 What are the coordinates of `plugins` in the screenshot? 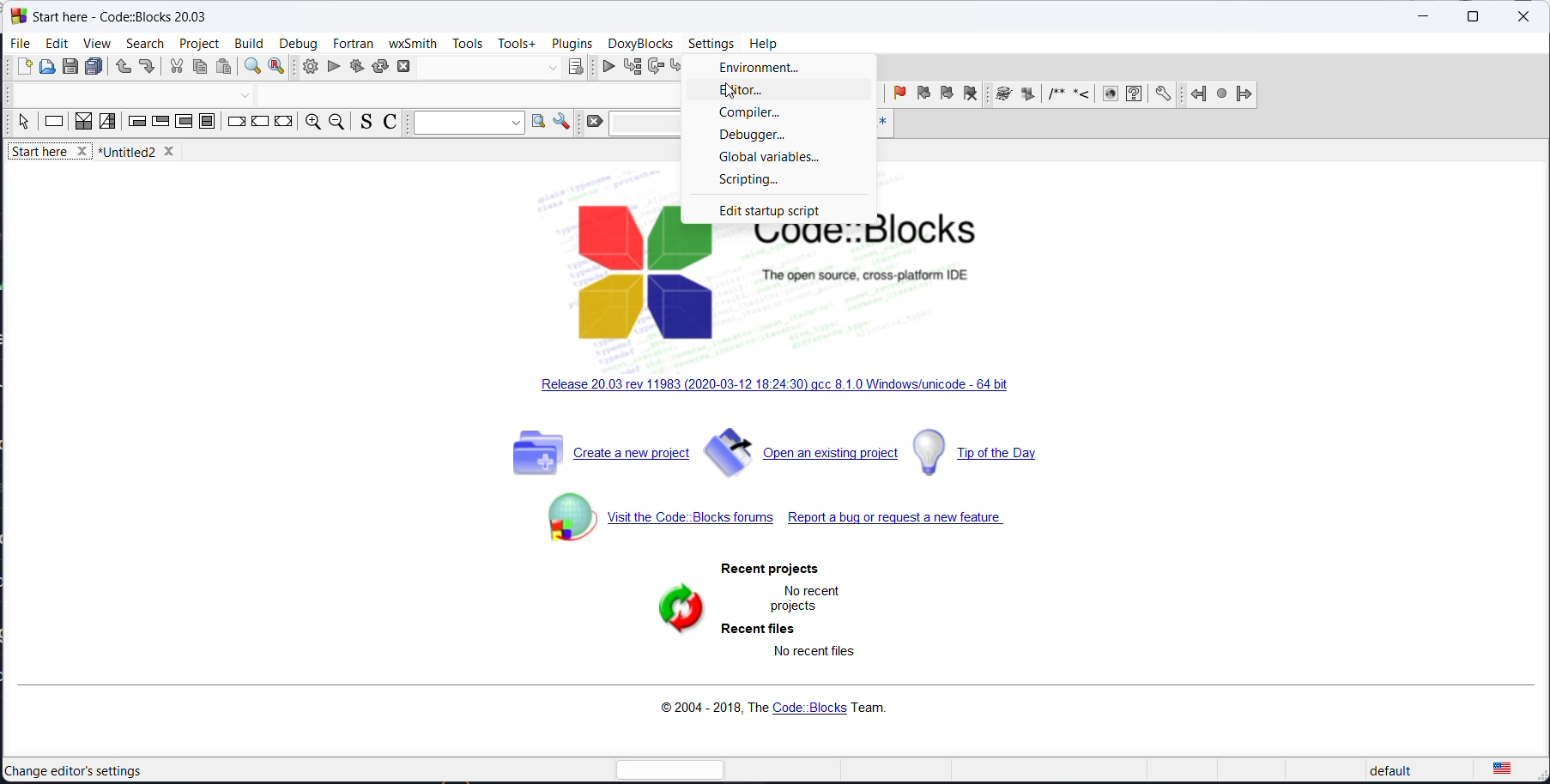 It's located at (572, 43).